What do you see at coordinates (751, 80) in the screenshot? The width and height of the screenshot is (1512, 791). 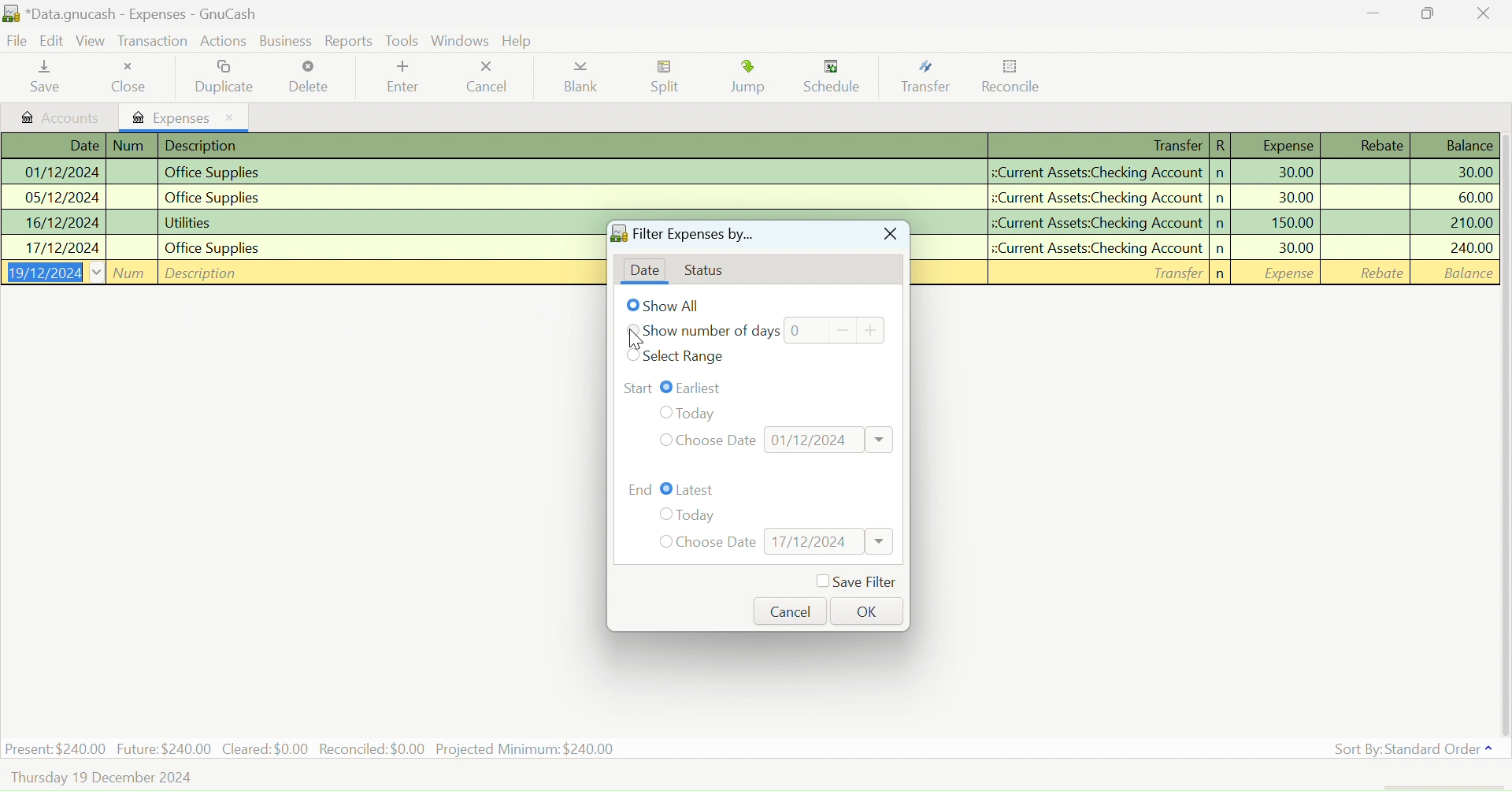 I see `Jump` at bounding box center [751, 80].